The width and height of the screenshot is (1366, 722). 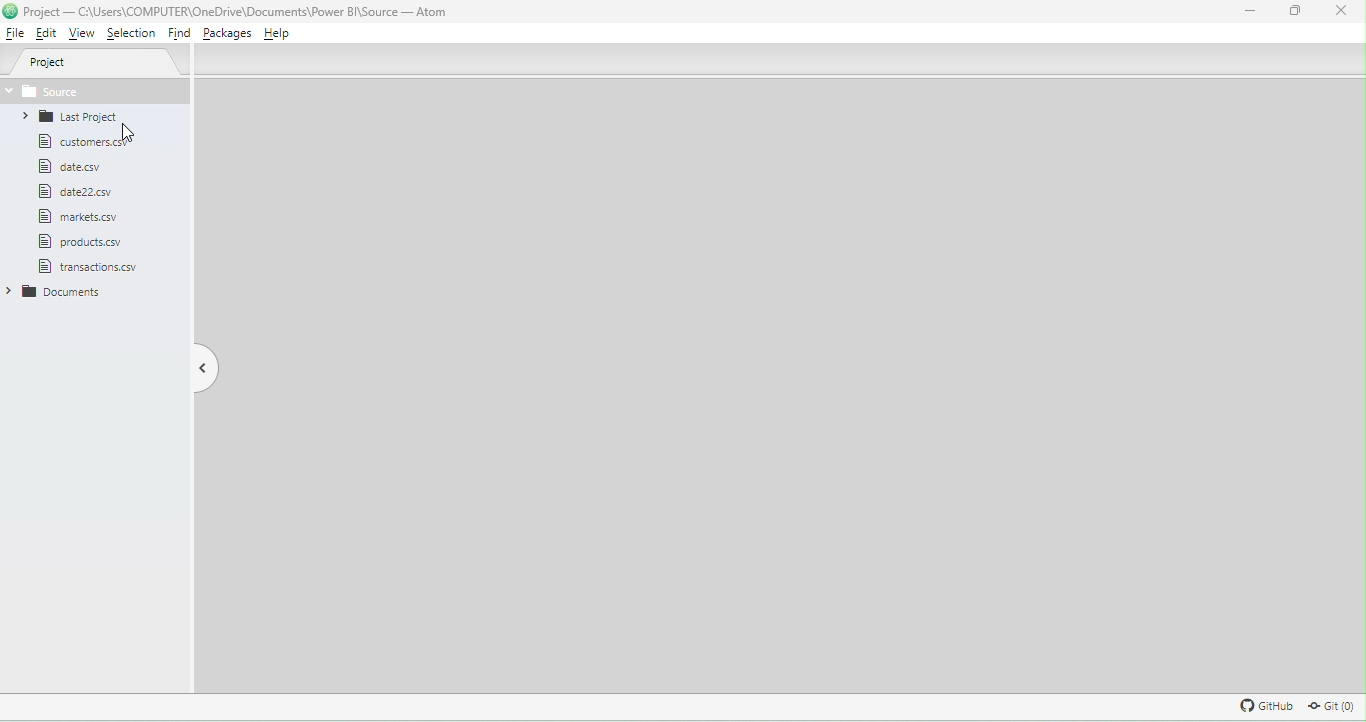 What do you see at coordinates (87, 192) in the screenshot?
I see `File` at bounding box center [87, 192].